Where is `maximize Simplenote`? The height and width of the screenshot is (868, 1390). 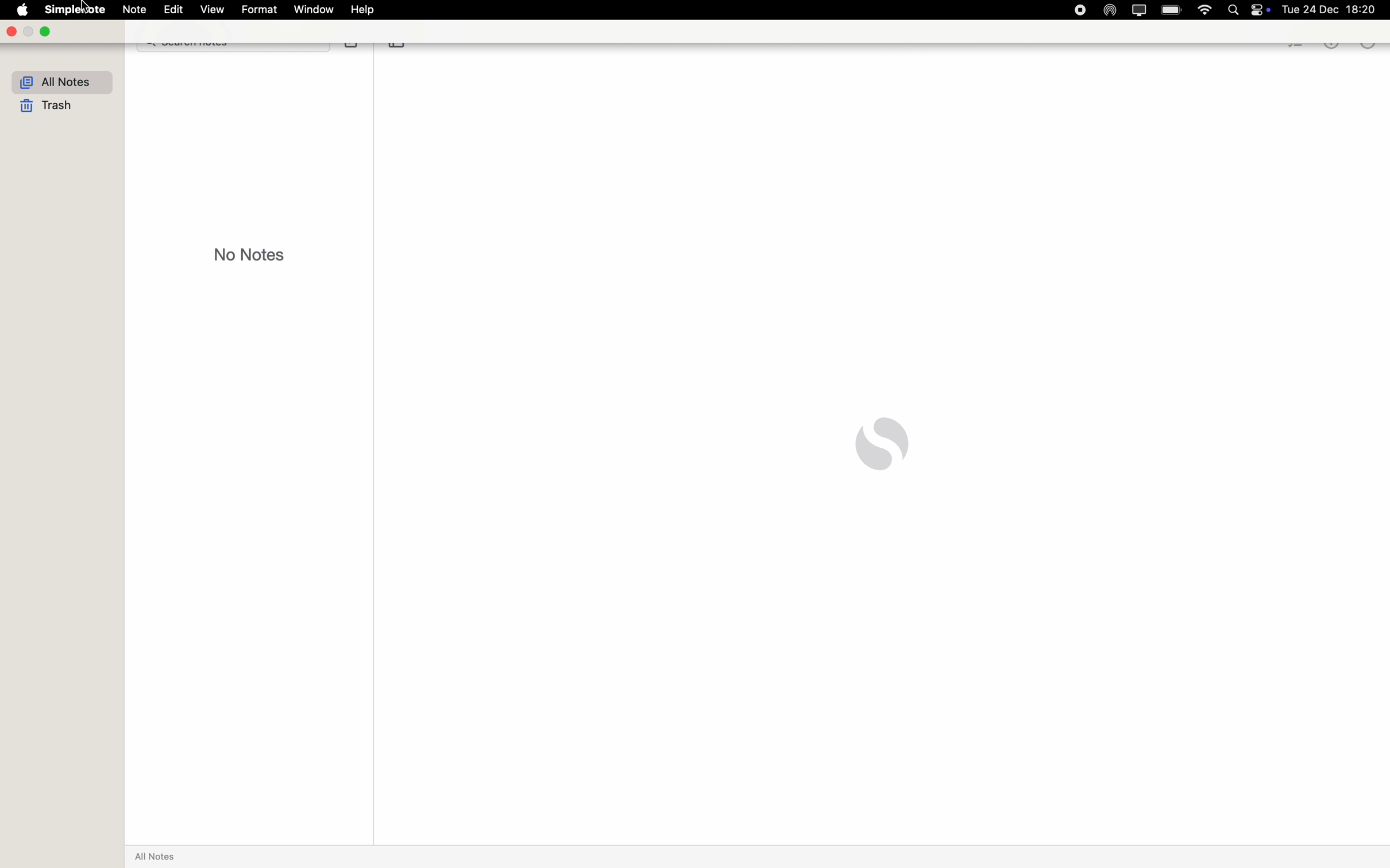
maximize Simplenote is located at coordinates (45, 31).